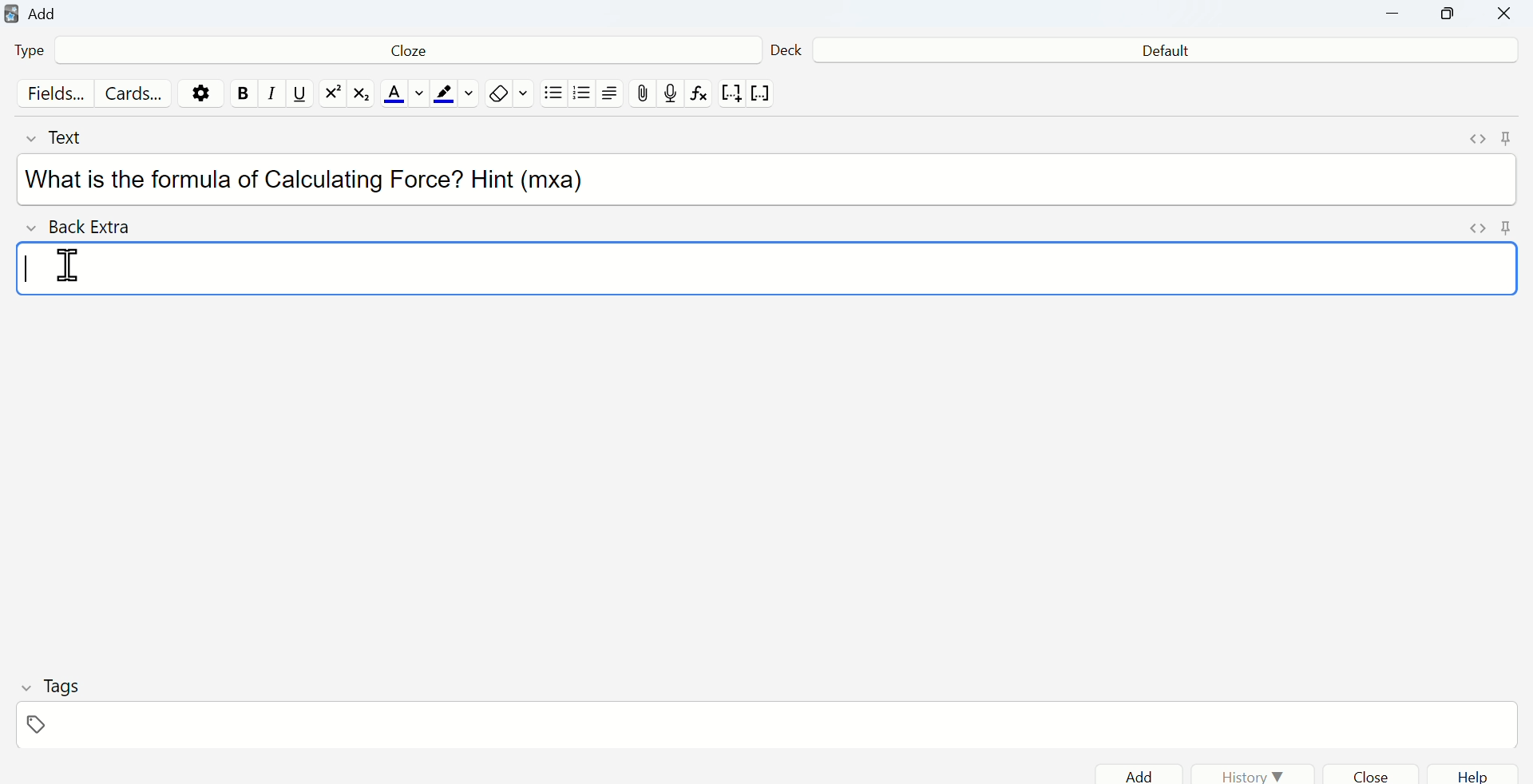 The image size is (1533, 784). What do you see at coordinates (267, 98) in the screenshot?
I see `Italics` at bounding box center [267, 98].